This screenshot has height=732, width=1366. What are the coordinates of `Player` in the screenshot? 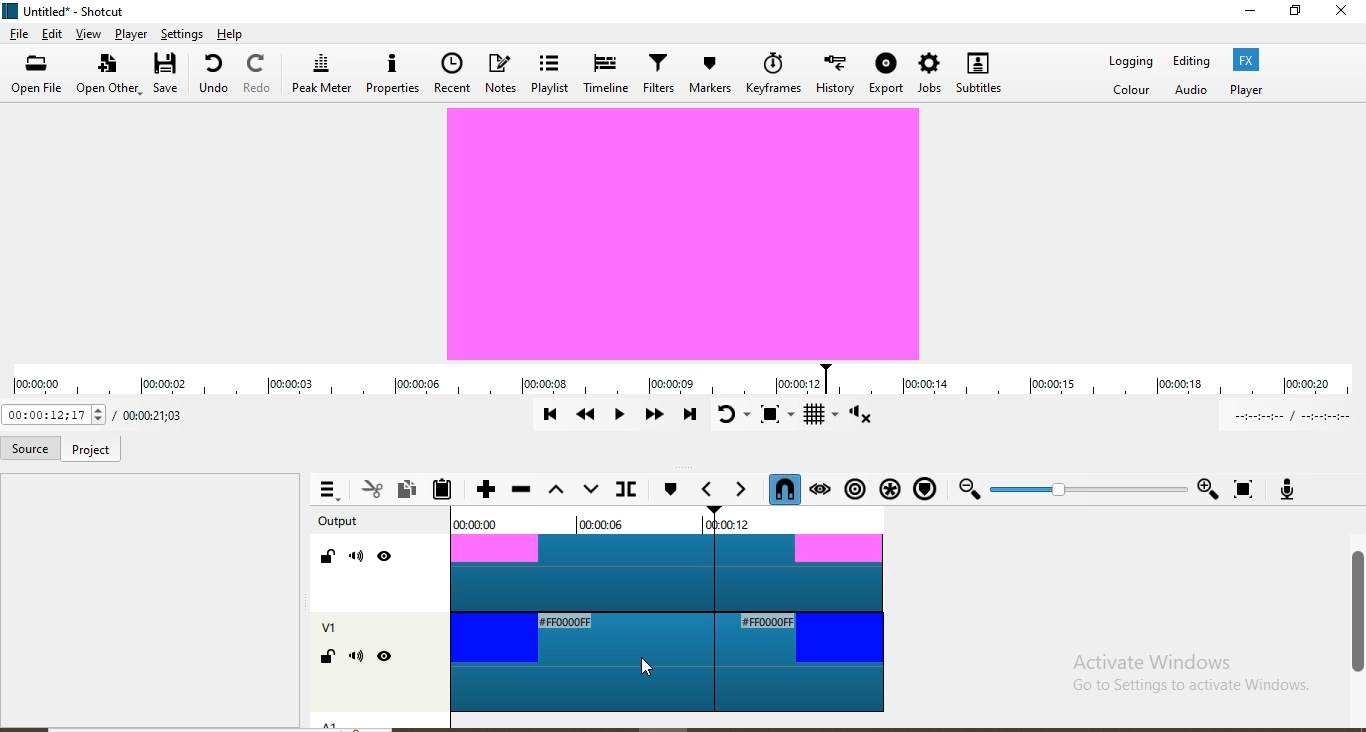 It's located at (131, 36).